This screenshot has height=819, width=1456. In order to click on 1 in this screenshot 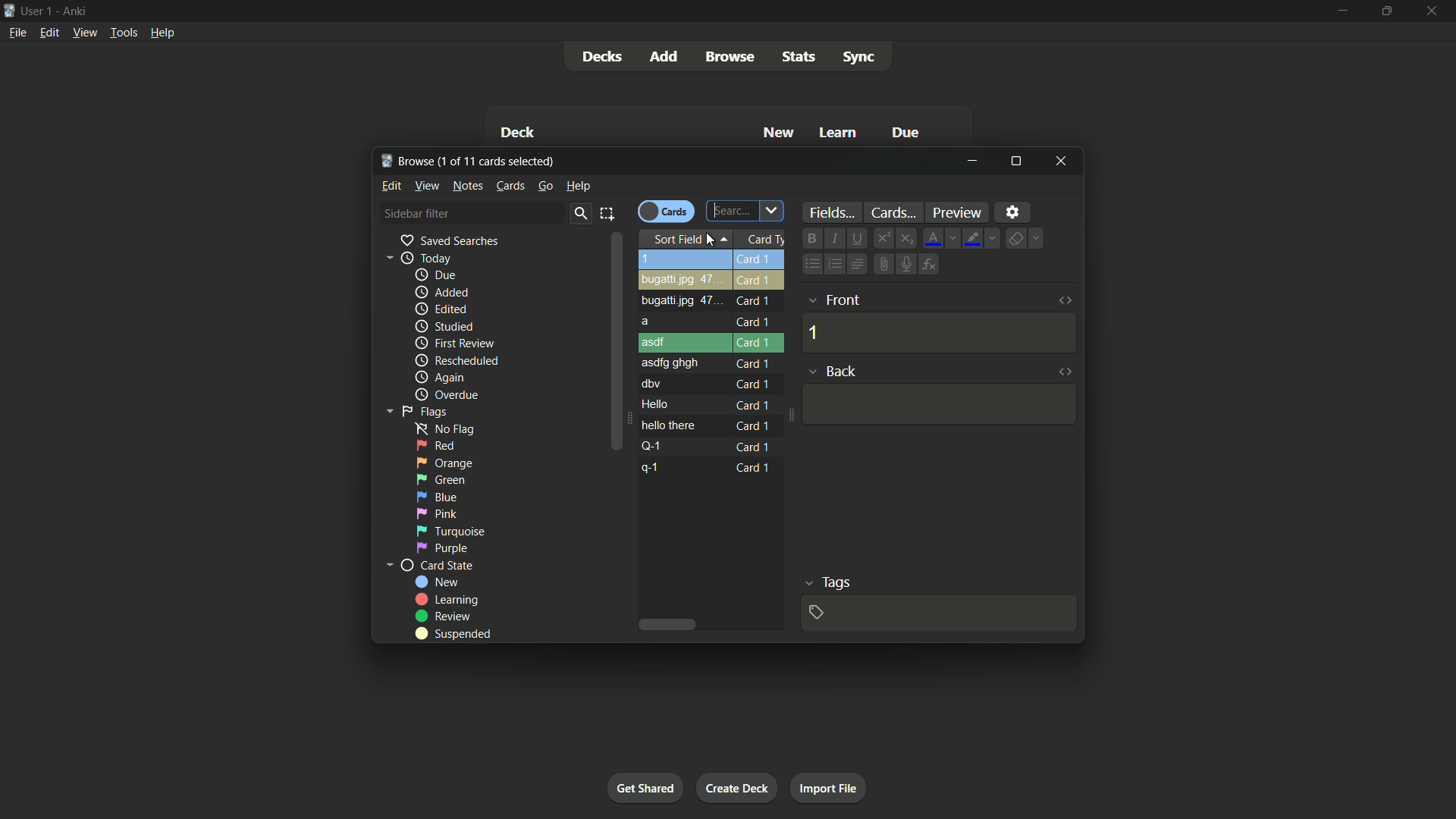, I will do `click(814, 332)`.